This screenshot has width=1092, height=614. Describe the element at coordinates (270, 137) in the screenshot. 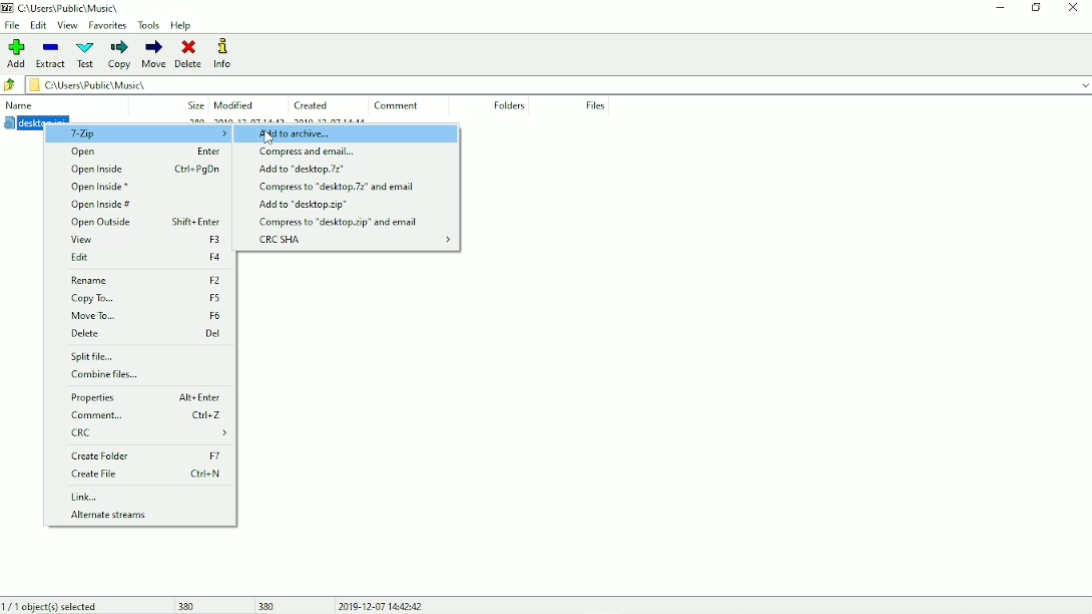

I see `Cursor` at that location.